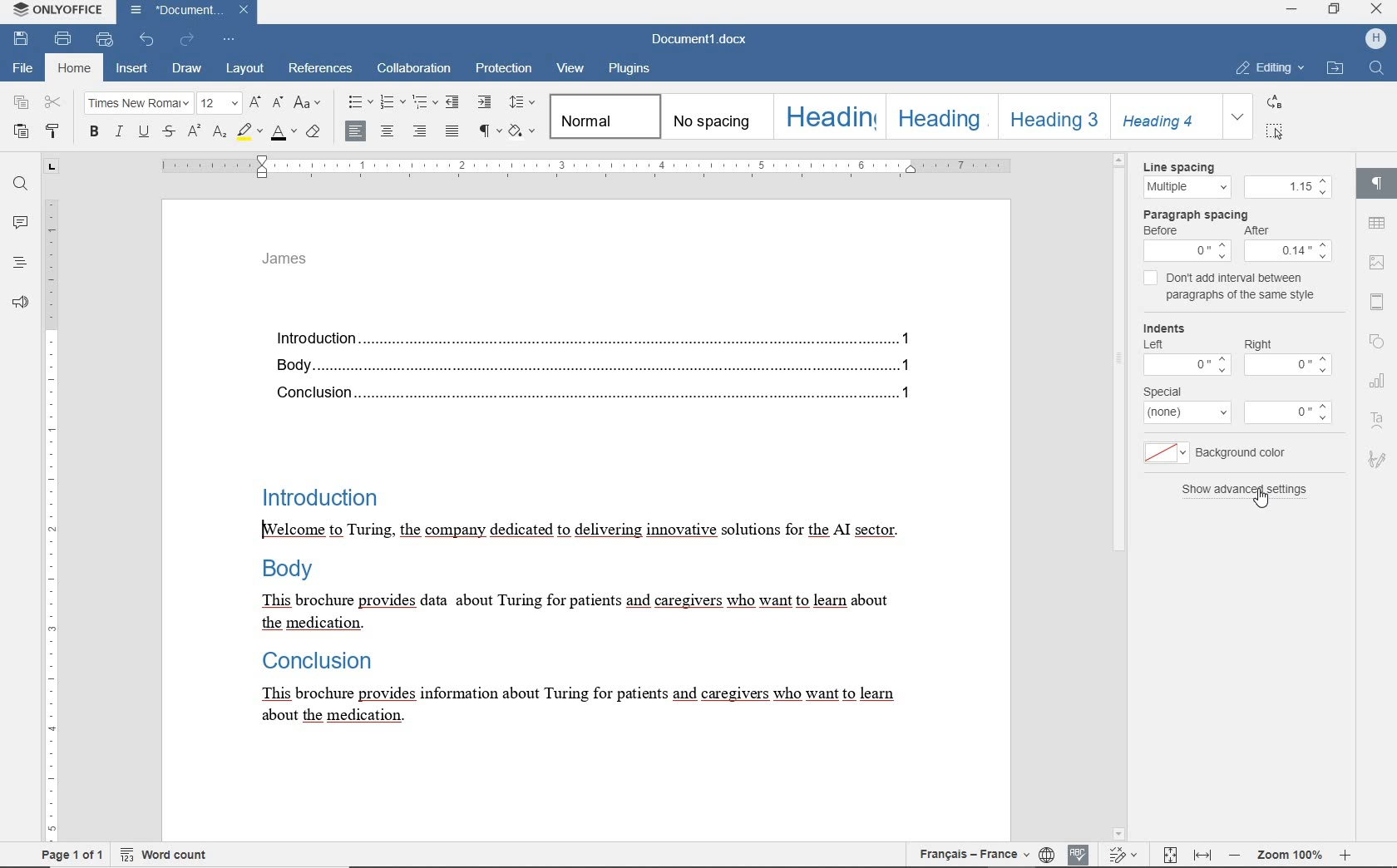 Image resolution: width=1397 pixels, height=868 pixels. What do you see at coordinates (1271, 68) in the screenshot?
I see `editing` at bounding box center [1271, 68].